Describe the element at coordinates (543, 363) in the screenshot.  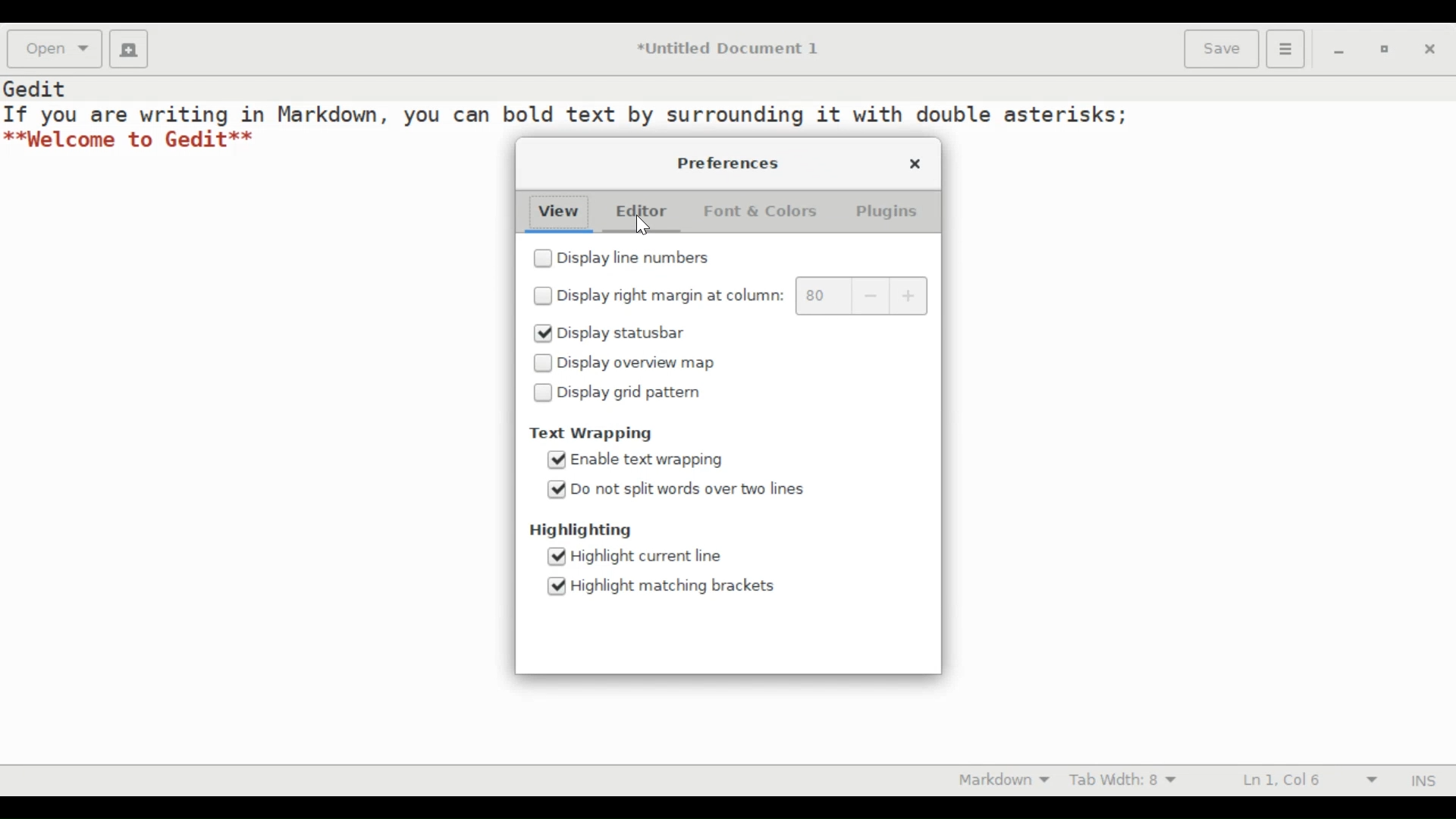
I see `Checkbox` at that location.